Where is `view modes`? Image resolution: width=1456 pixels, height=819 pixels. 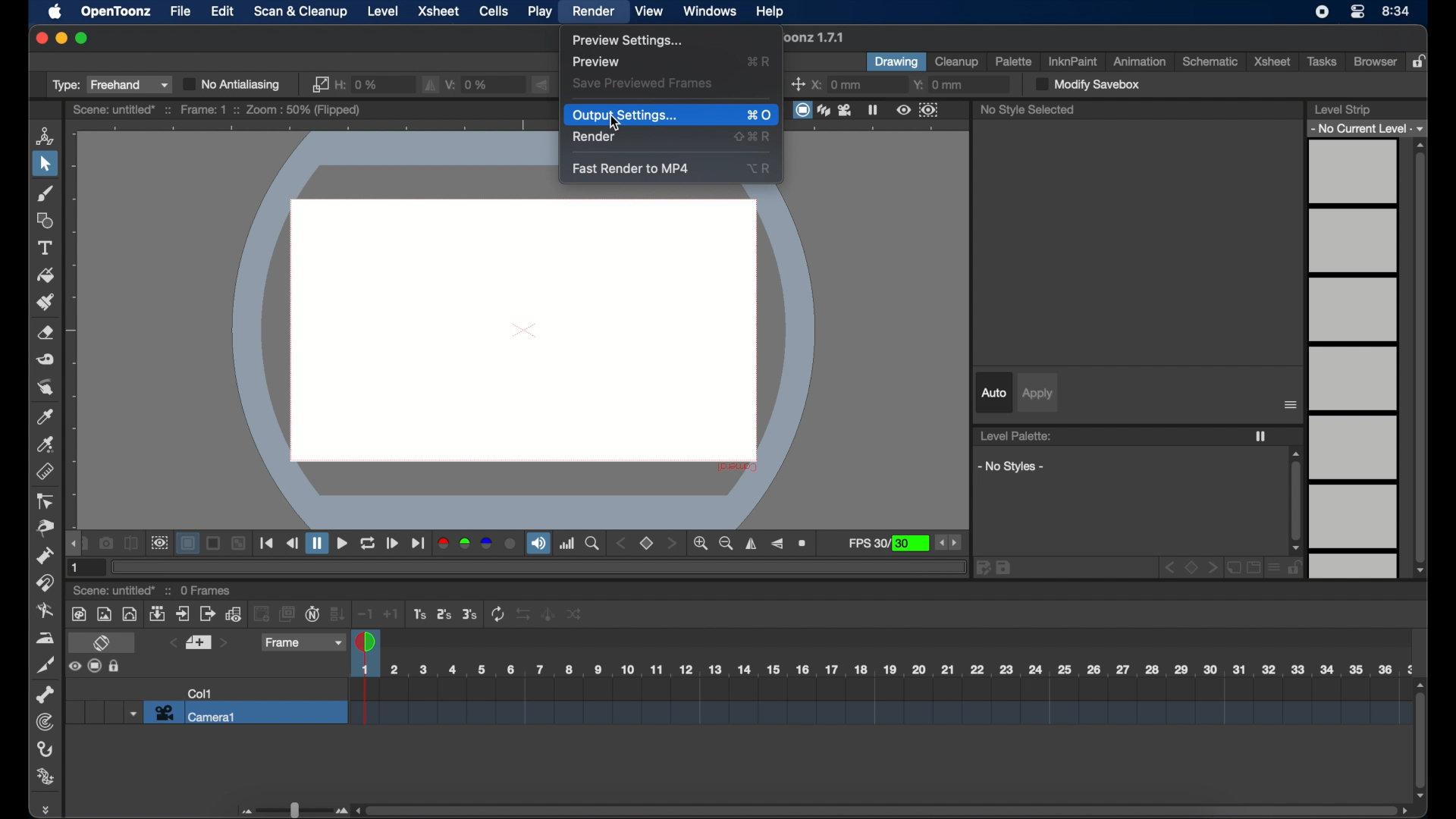
view modes is located at coordinates (824, 110).